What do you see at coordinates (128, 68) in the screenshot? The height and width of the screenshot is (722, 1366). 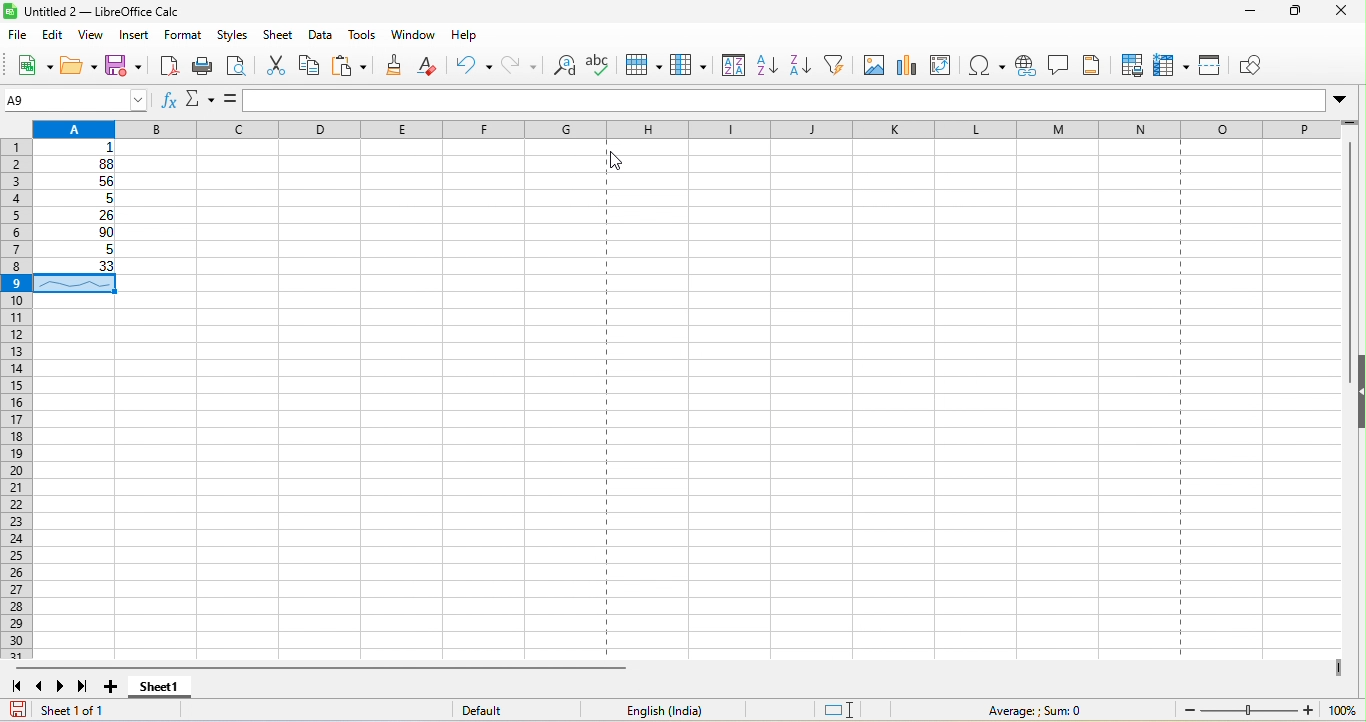 I see `save` at bounding box center [128, 68].